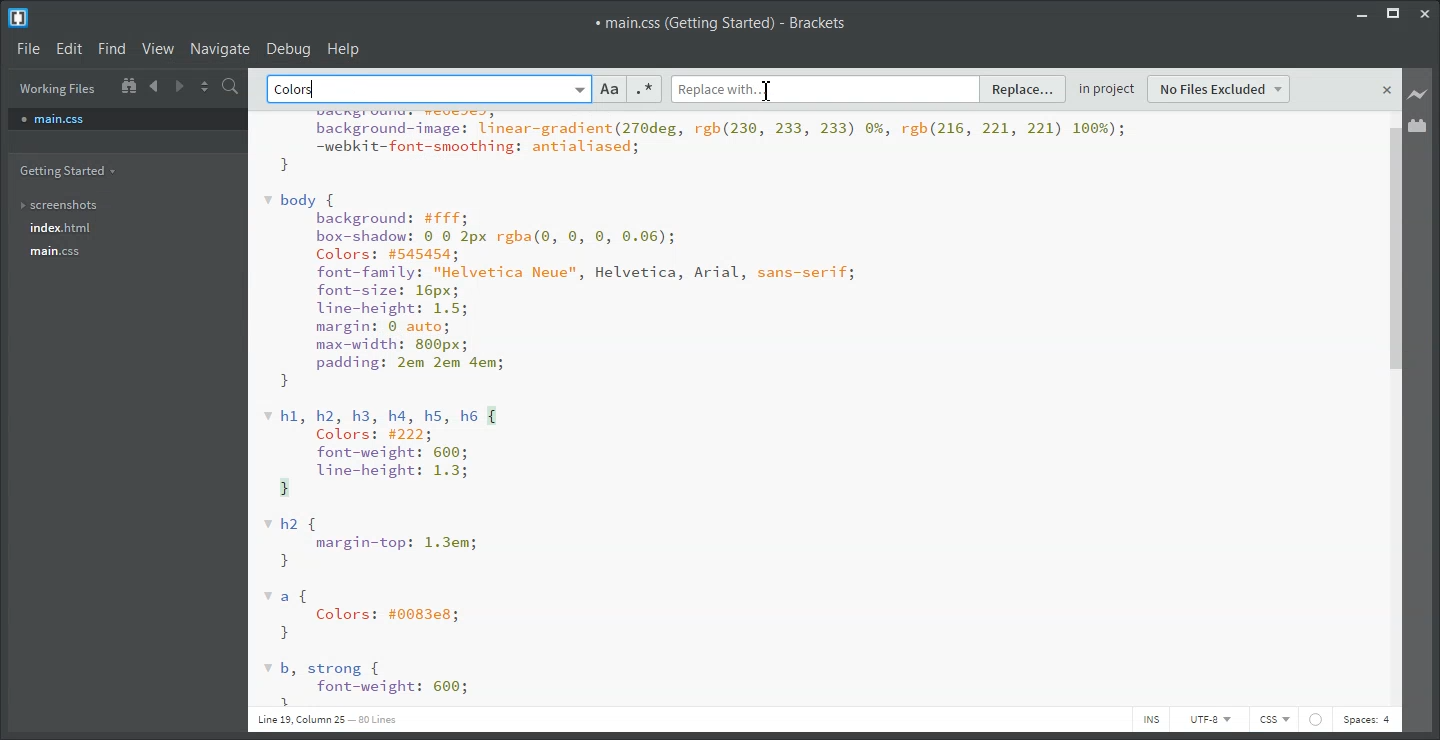 This screenshot has width=1440, height=740. What do you see at coordinates (1427, 13) in the screenshot?
I see `Close` at bounding box center [1427, 13].